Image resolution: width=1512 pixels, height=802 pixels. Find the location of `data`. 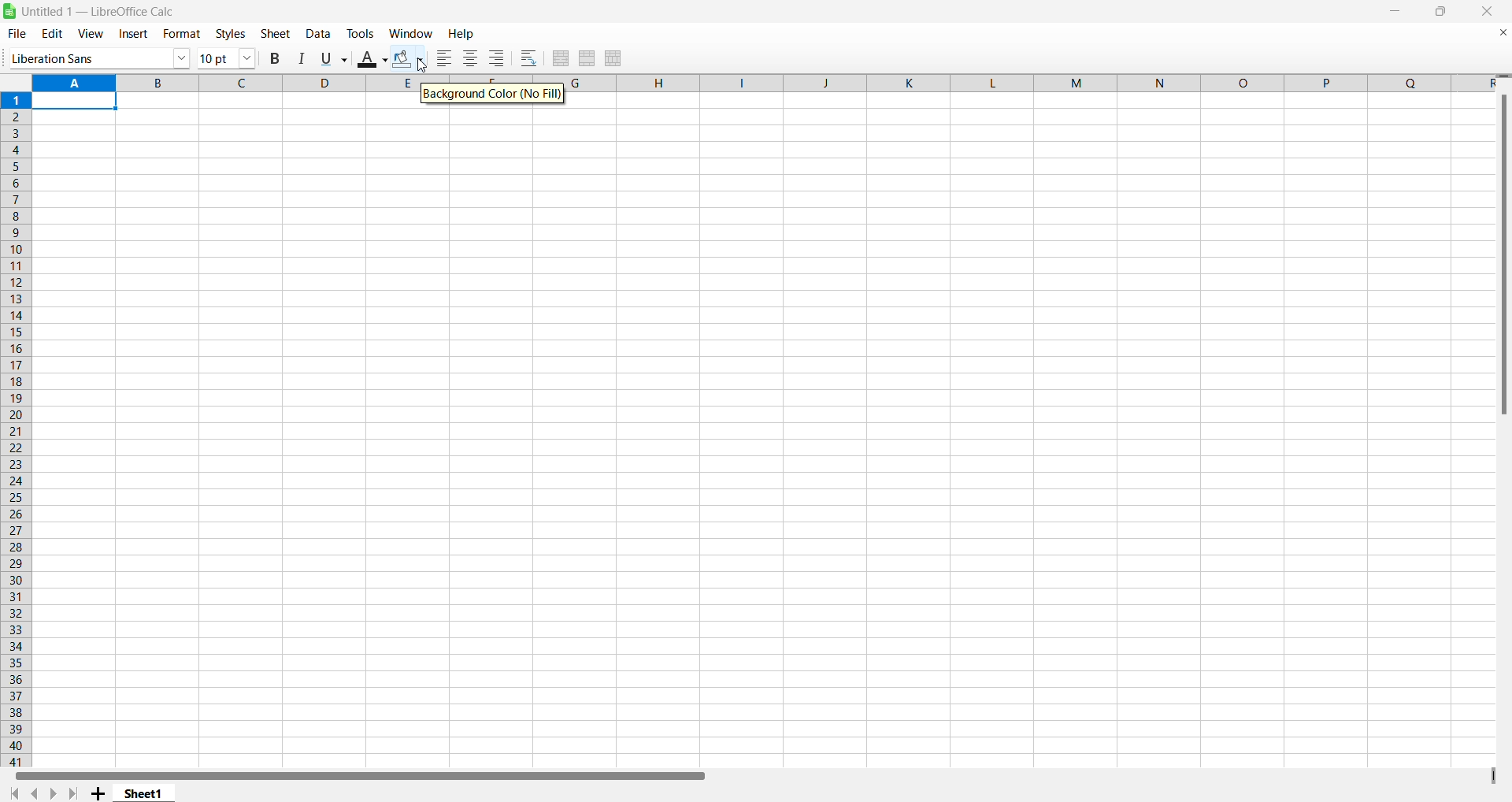

data is located at coordinates (319, 35).